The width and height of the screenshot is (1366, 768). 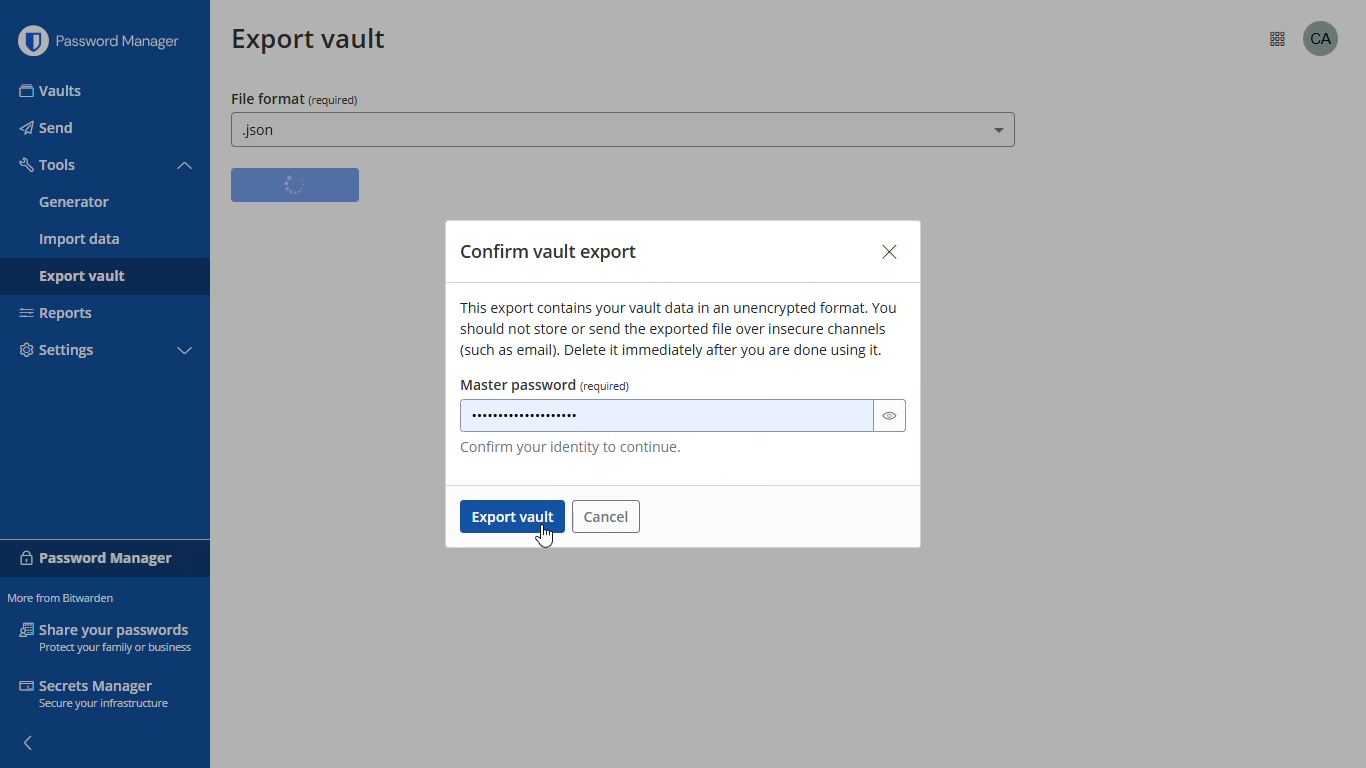 I want to click on toggle collapse, so click(x=185, y=352).